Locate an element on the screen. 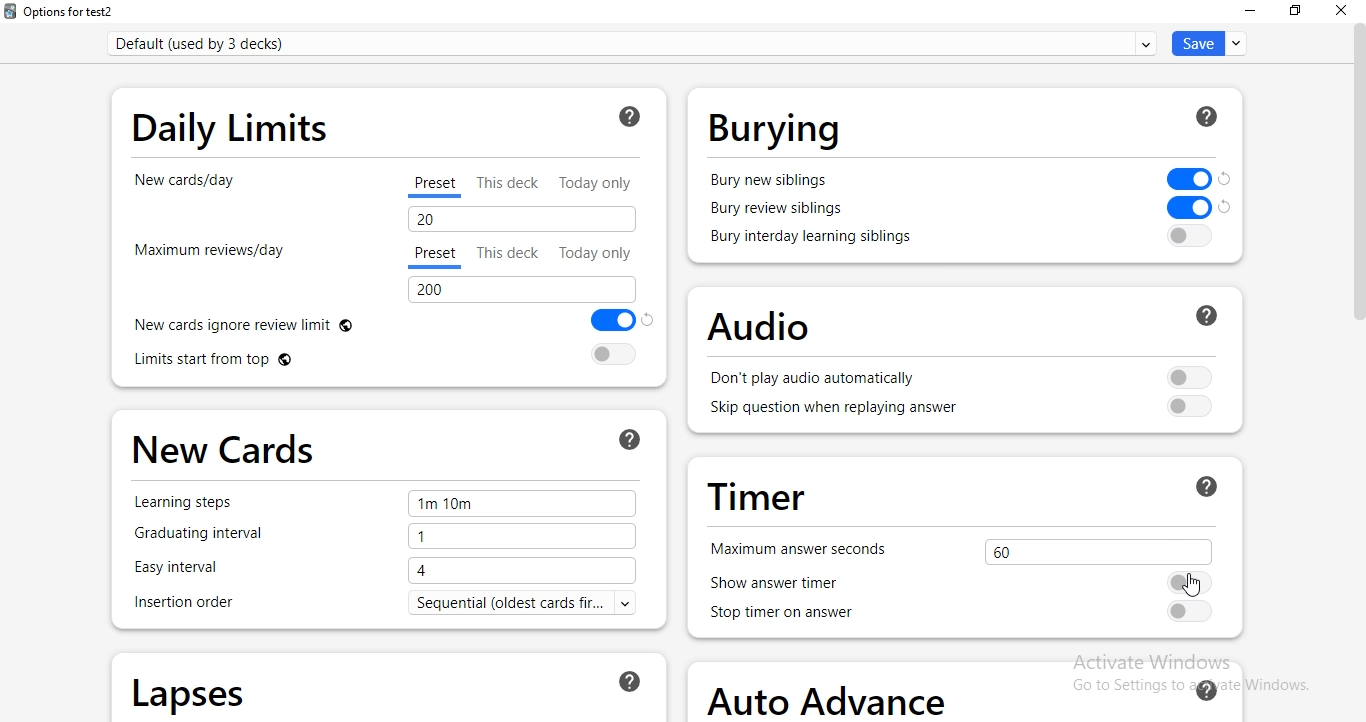 The height and width of the screenshot is (722, 1366). new cards/day is located at coordinates (207, 182).